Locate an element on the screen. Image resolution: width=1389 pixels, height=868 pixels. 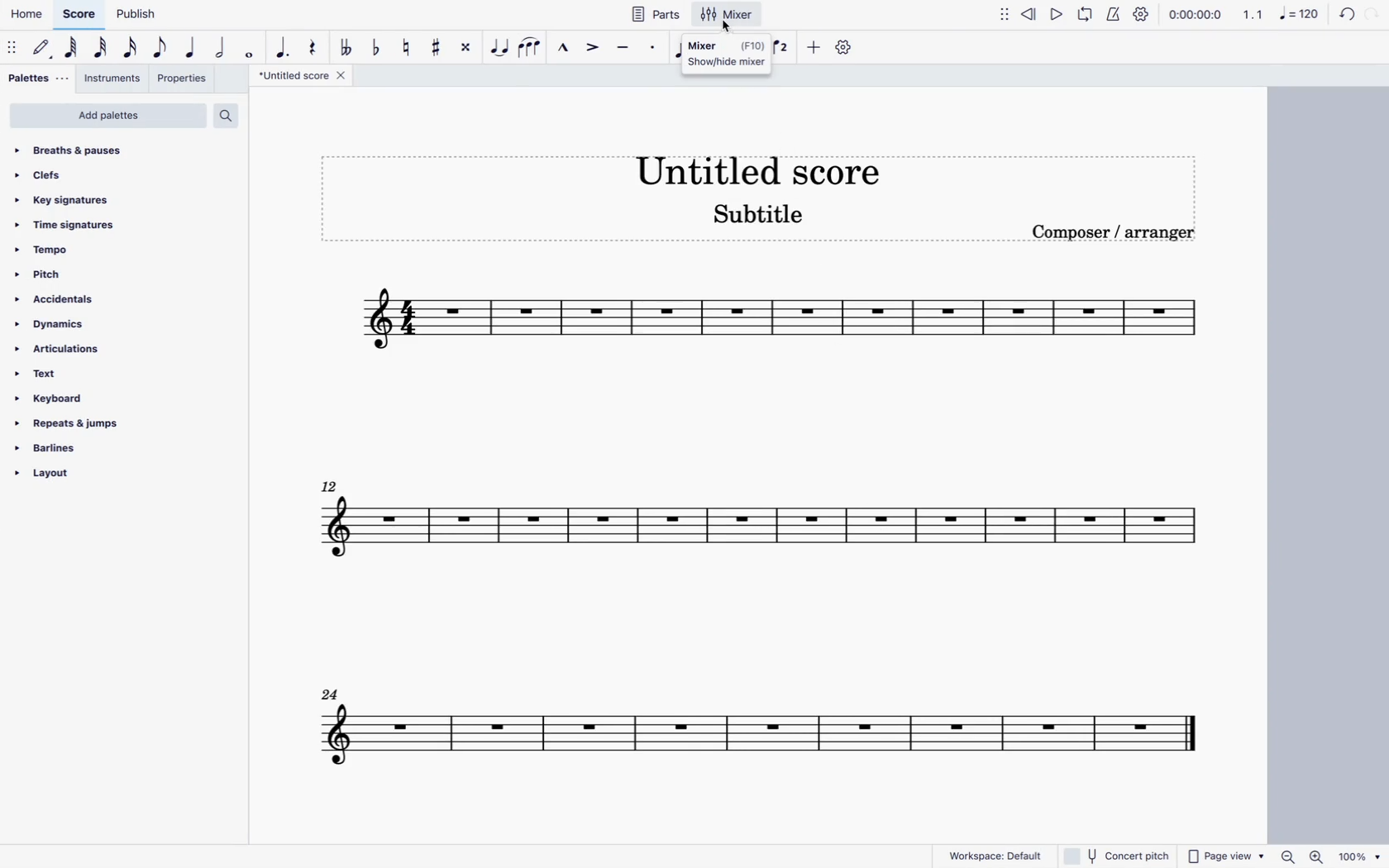
time signatures is located at coordinates (82, 227).